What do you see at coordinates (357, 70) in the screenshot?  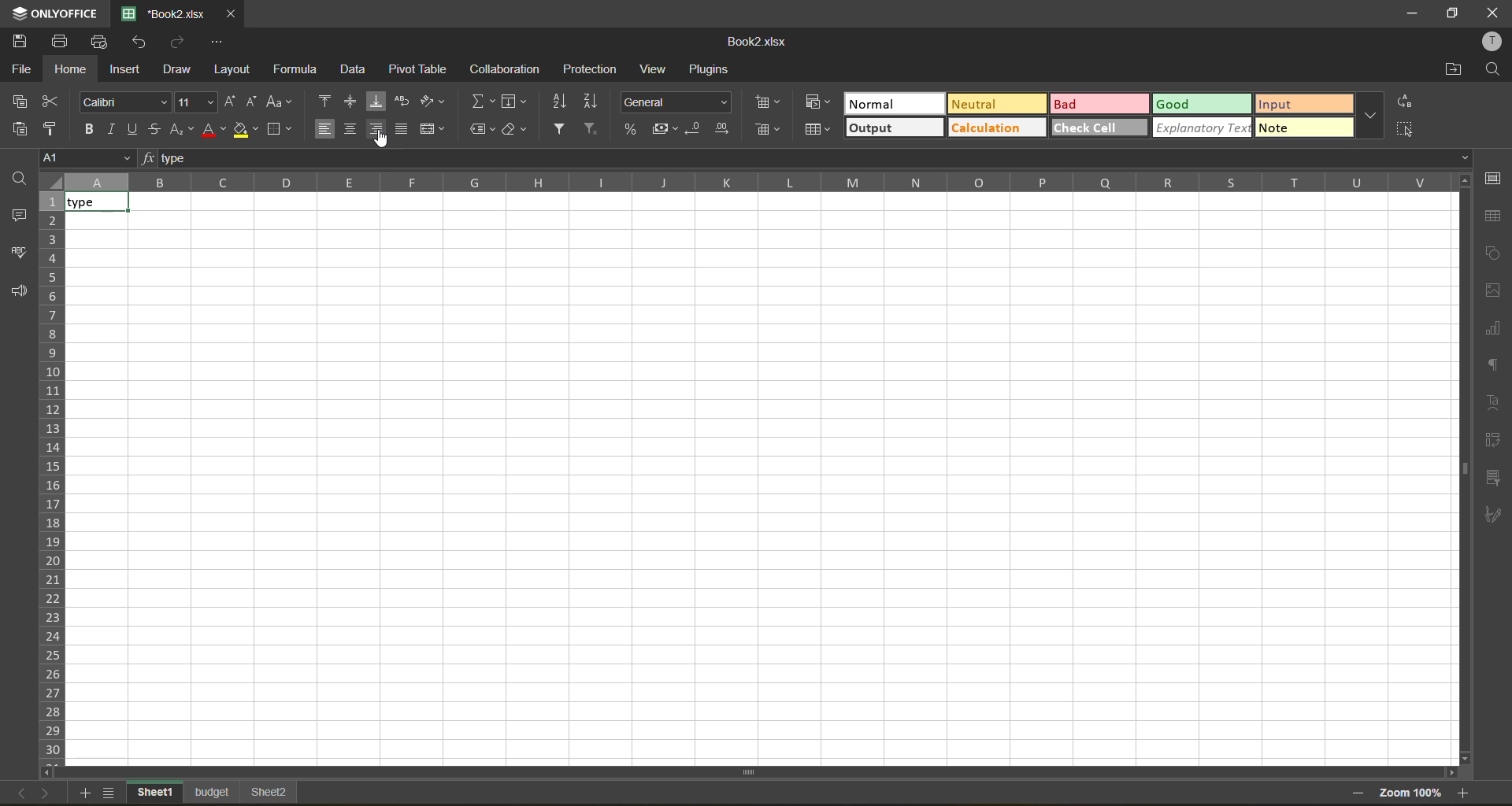 I see `data` at bounding box center [357, 70].